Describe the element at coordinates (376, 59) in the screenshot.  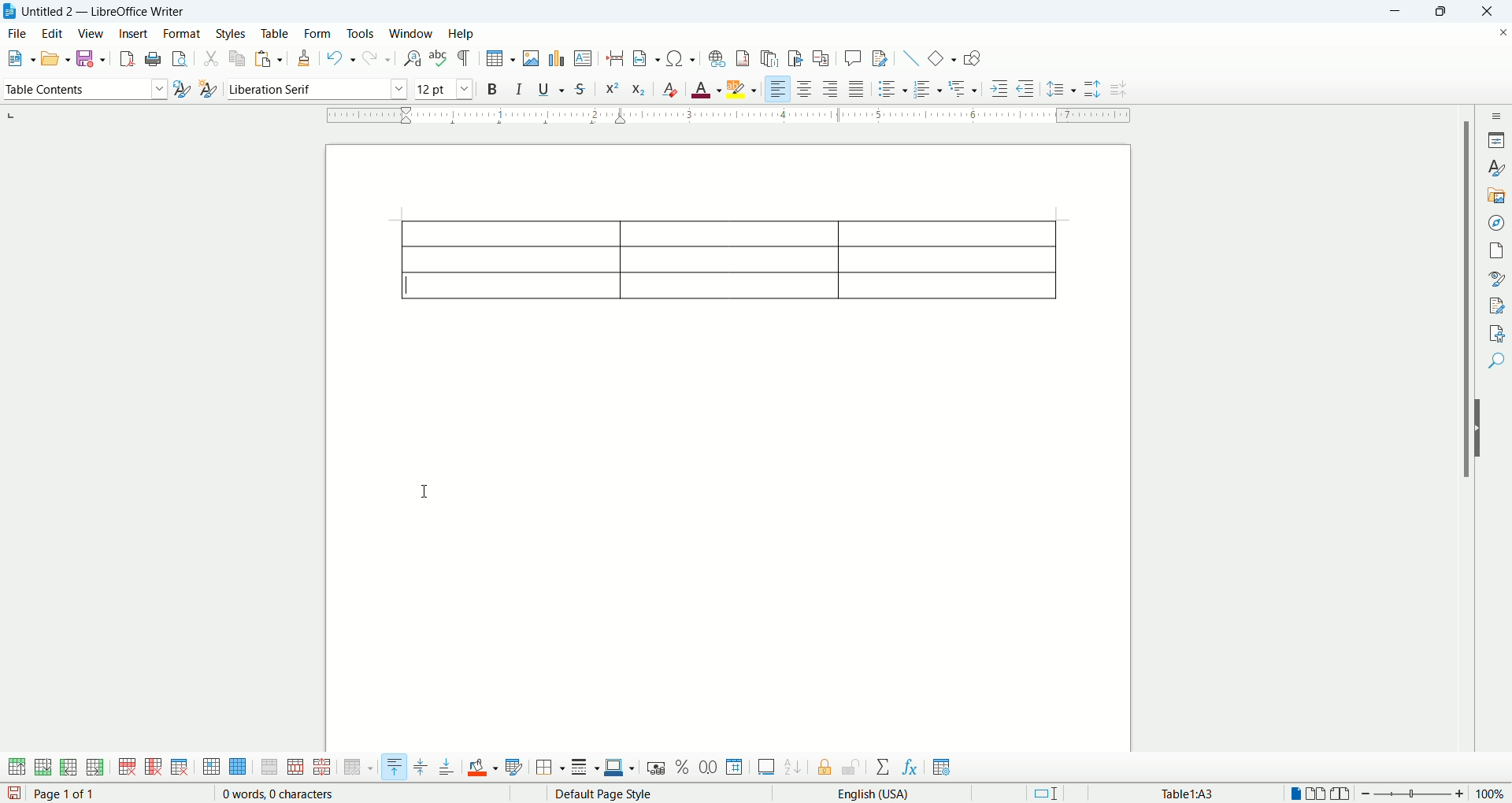
I see `redo` at that location.